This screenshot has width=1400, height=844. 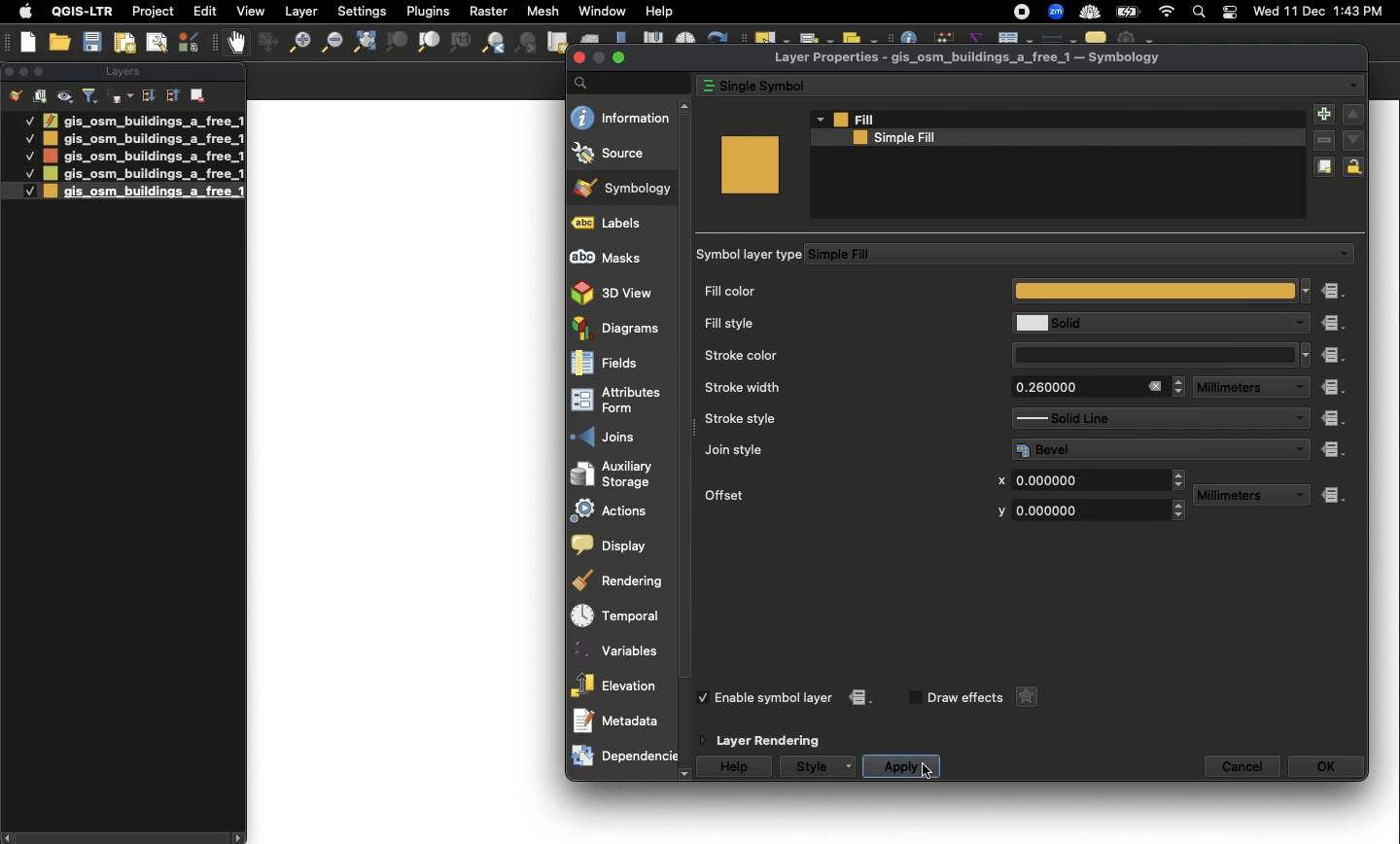 I want to click on wed, so click(x=1264, y=13).